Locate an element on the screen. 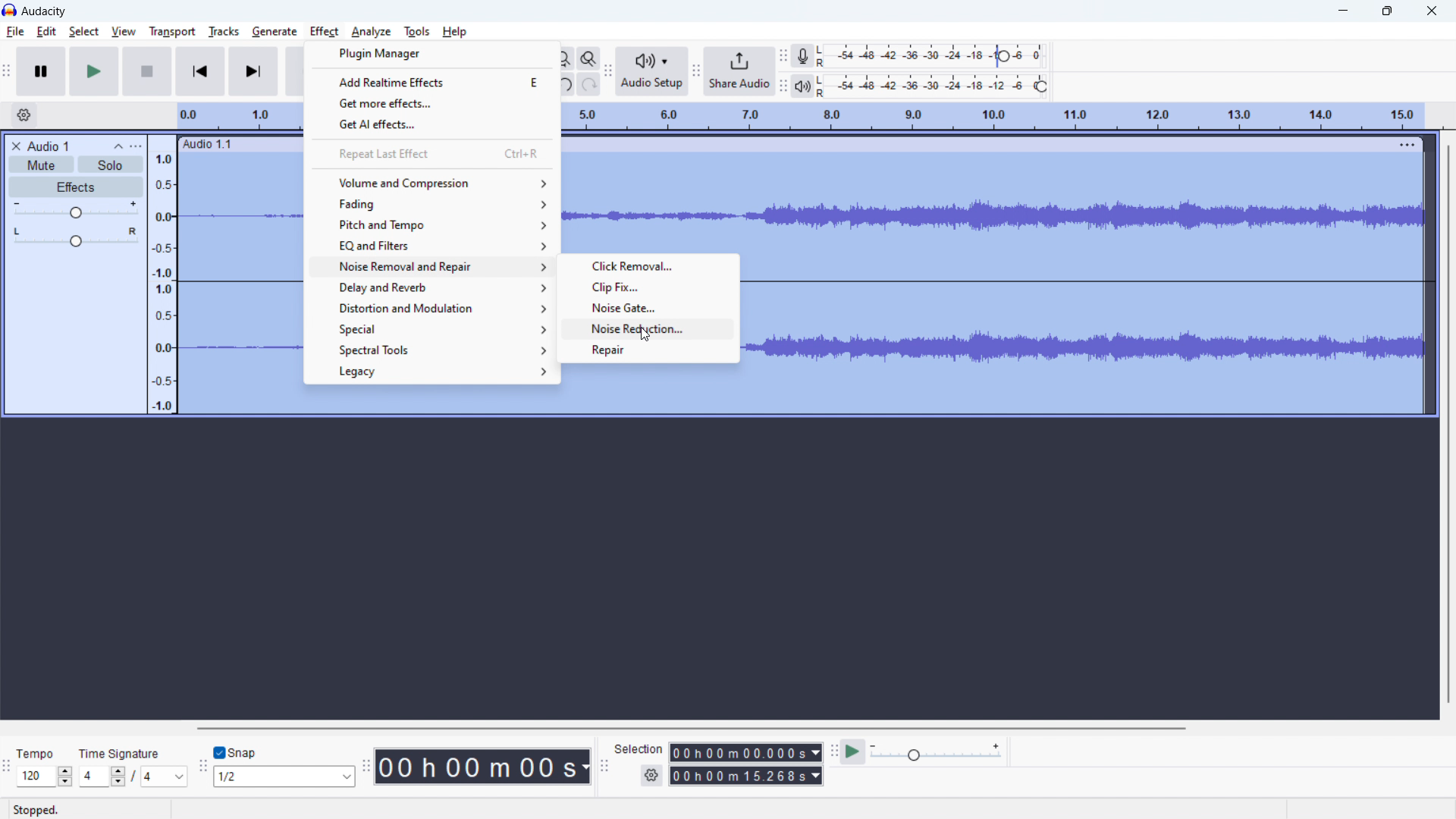  vertical scrollbar is located at coordinates (1445, 424).